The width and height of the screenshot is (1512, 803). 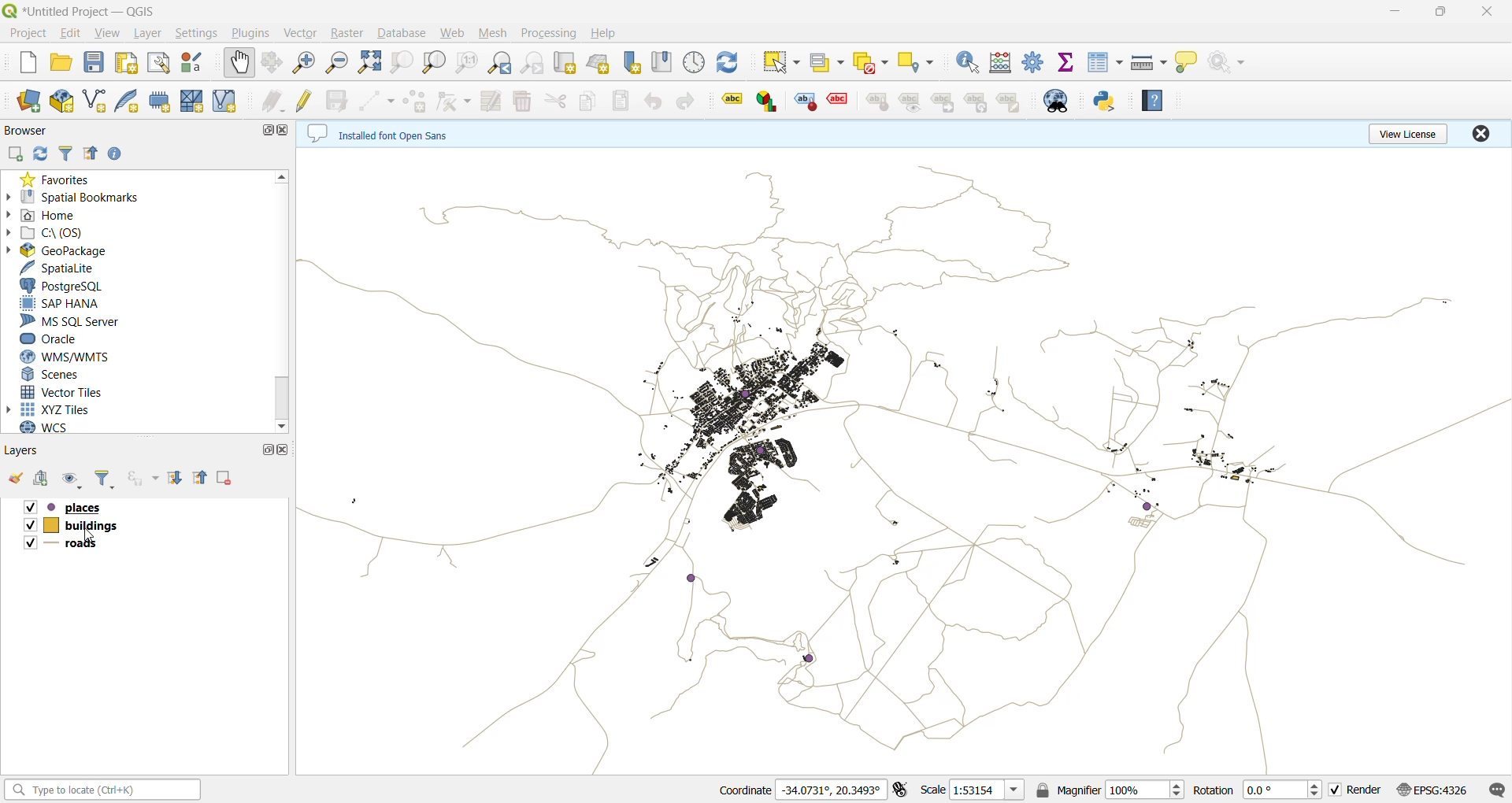 What do you see at coordinates (454, 35) in the screenshot?
I see `web` at bounding box center [454, 35].